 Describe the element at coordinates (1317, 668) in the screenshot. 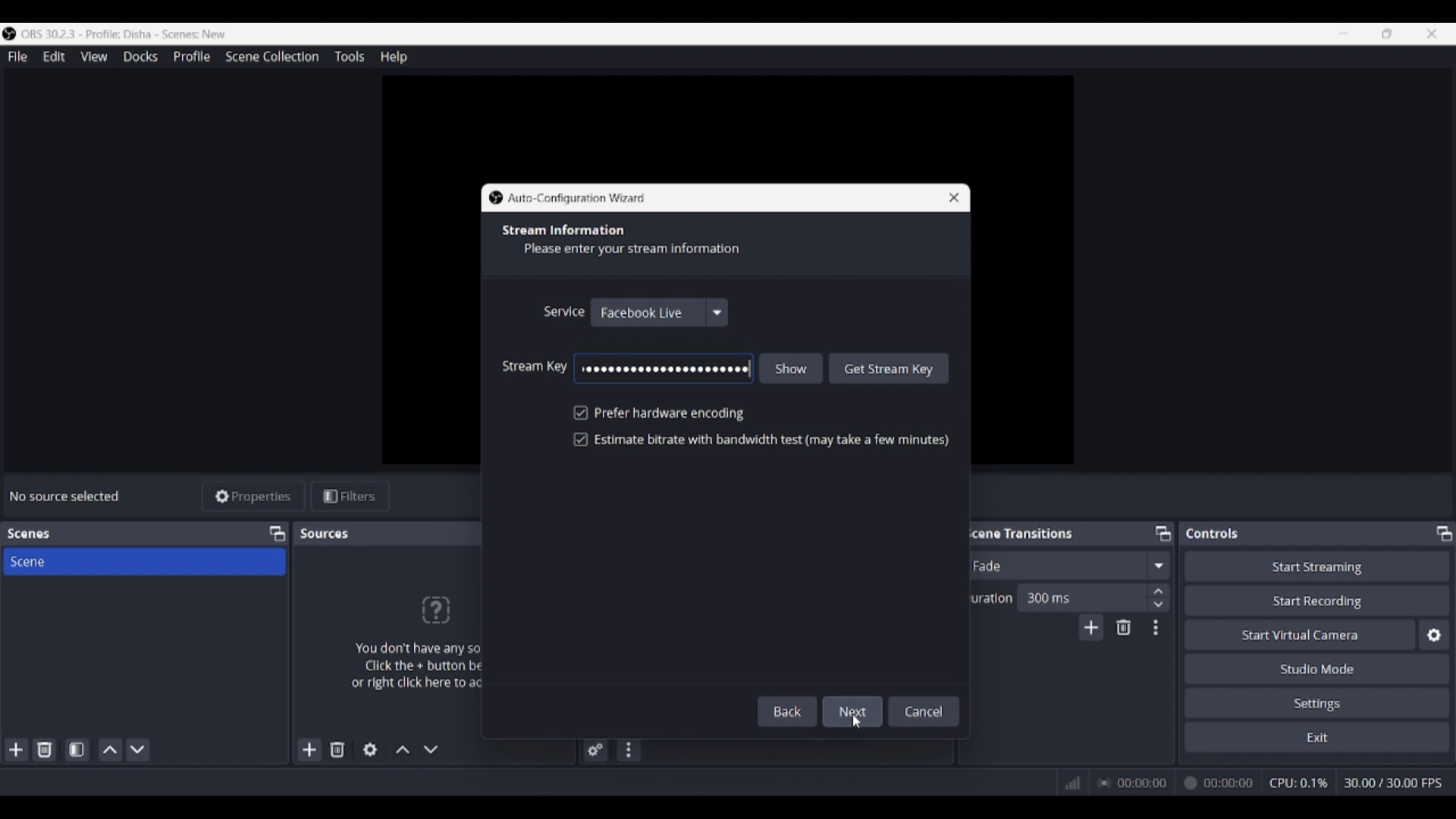

I see `Studio mode` at that location.